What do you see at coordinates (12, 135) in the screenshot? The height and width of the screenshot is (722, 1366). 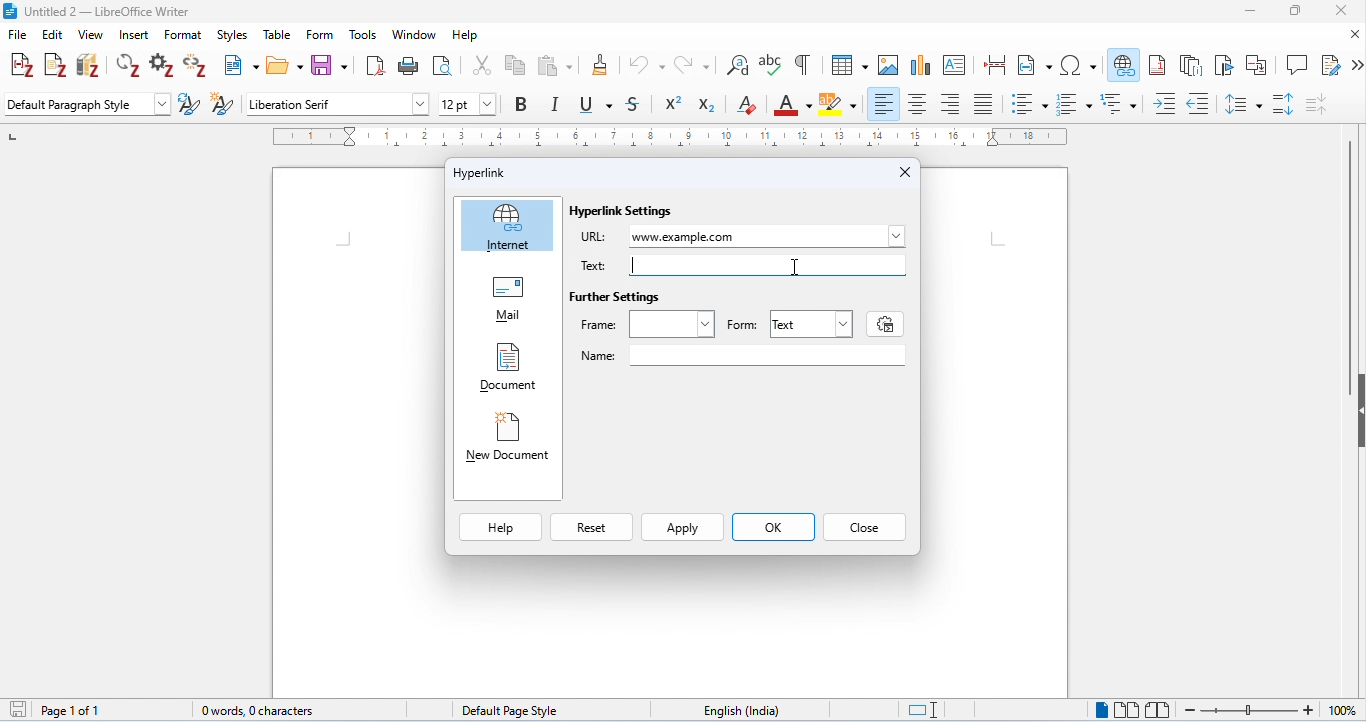 I see `left numbering in ruler` at bounding box center [12, 135].